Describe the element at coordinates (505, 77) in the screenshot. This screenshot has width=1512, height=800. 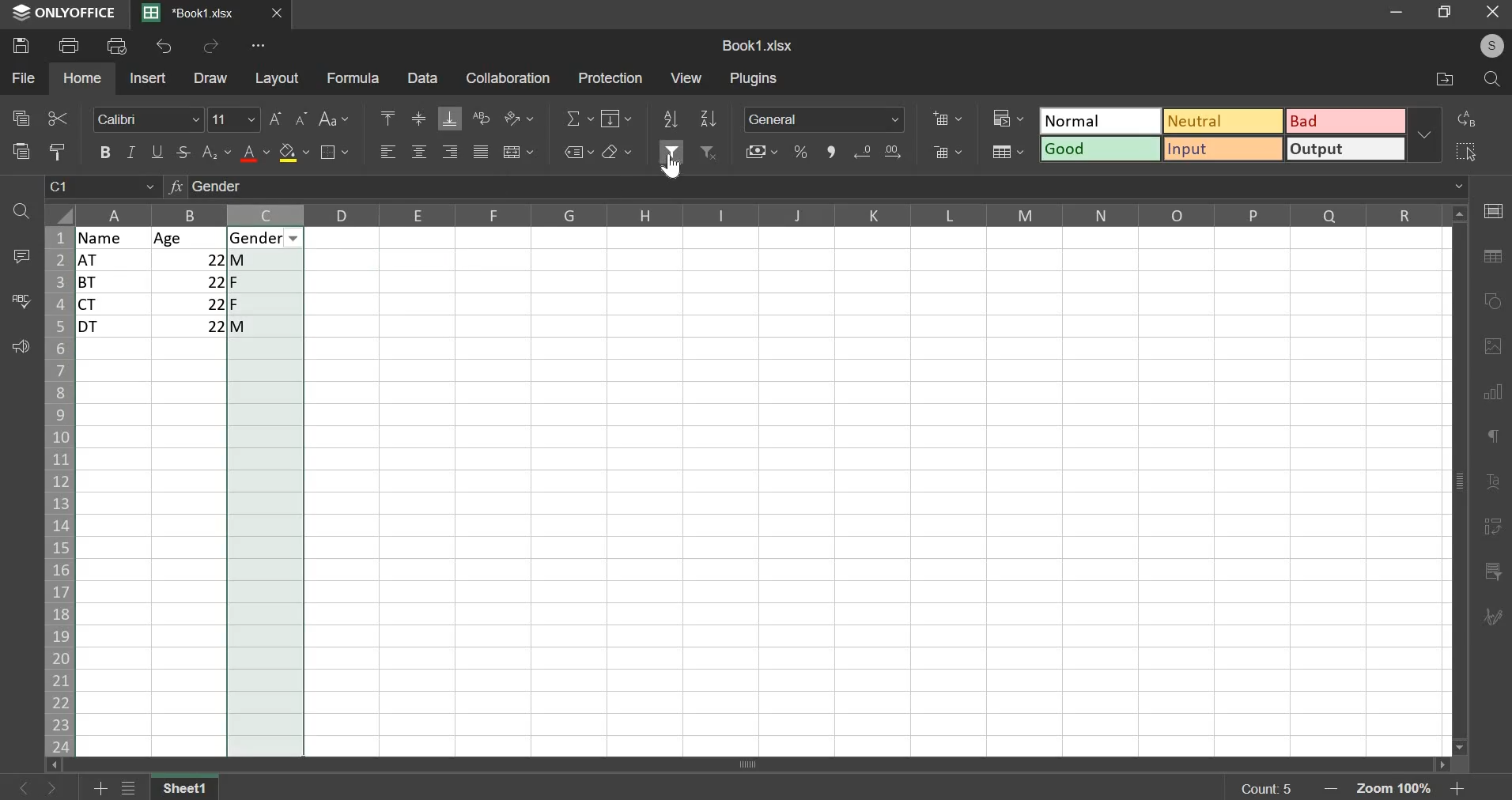
I see `collaboration` at that location.